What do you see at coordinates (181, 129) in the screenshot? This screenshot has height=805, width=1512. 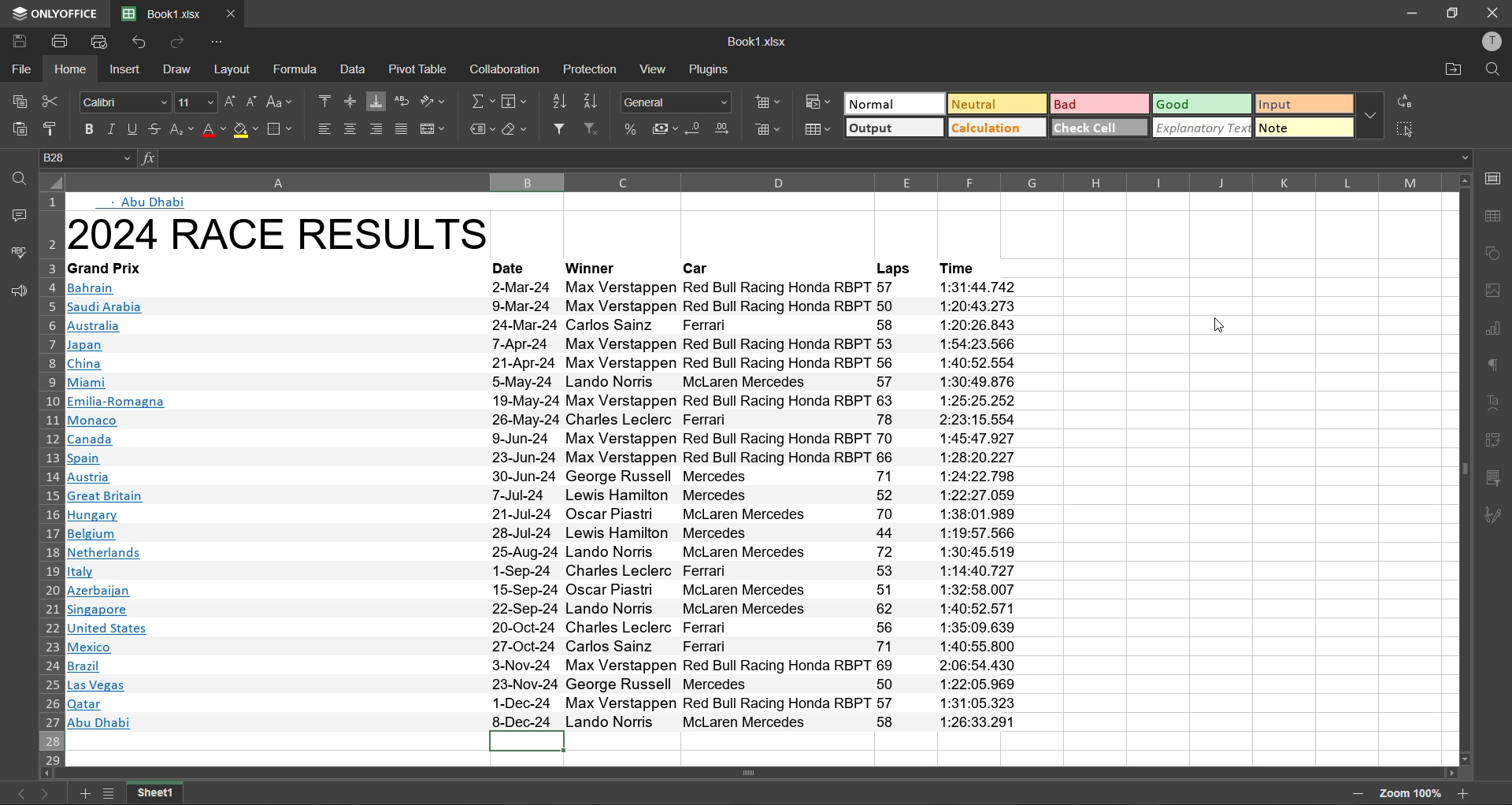 I see `sub\script` at bounding box center [181, 129].